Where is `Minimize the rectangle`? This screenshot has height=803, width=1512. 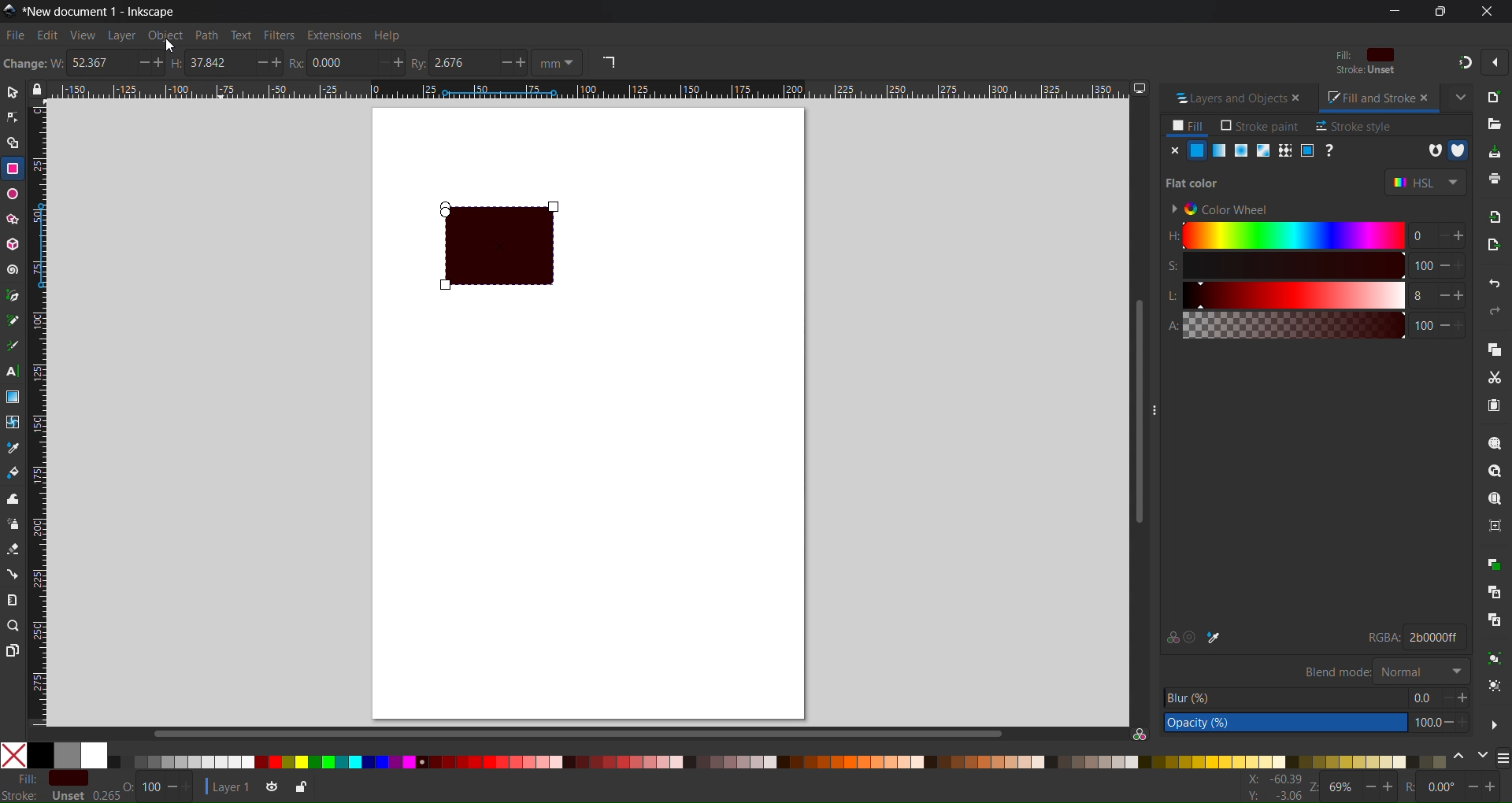
Minimize the rectangle is located at coordinates (258, 63).